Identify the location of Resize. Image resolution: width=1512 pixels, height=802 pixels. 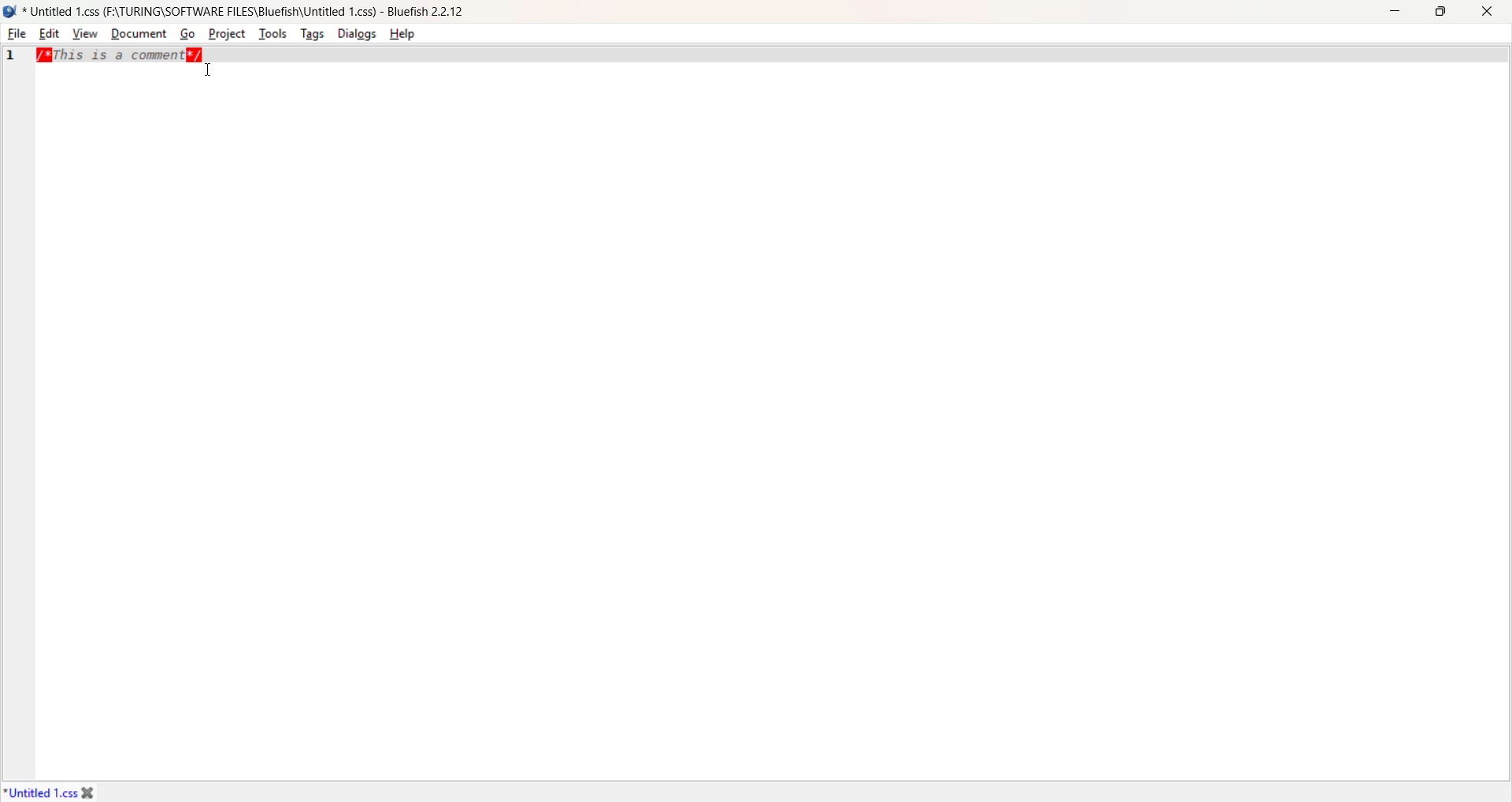
(1443, 14).